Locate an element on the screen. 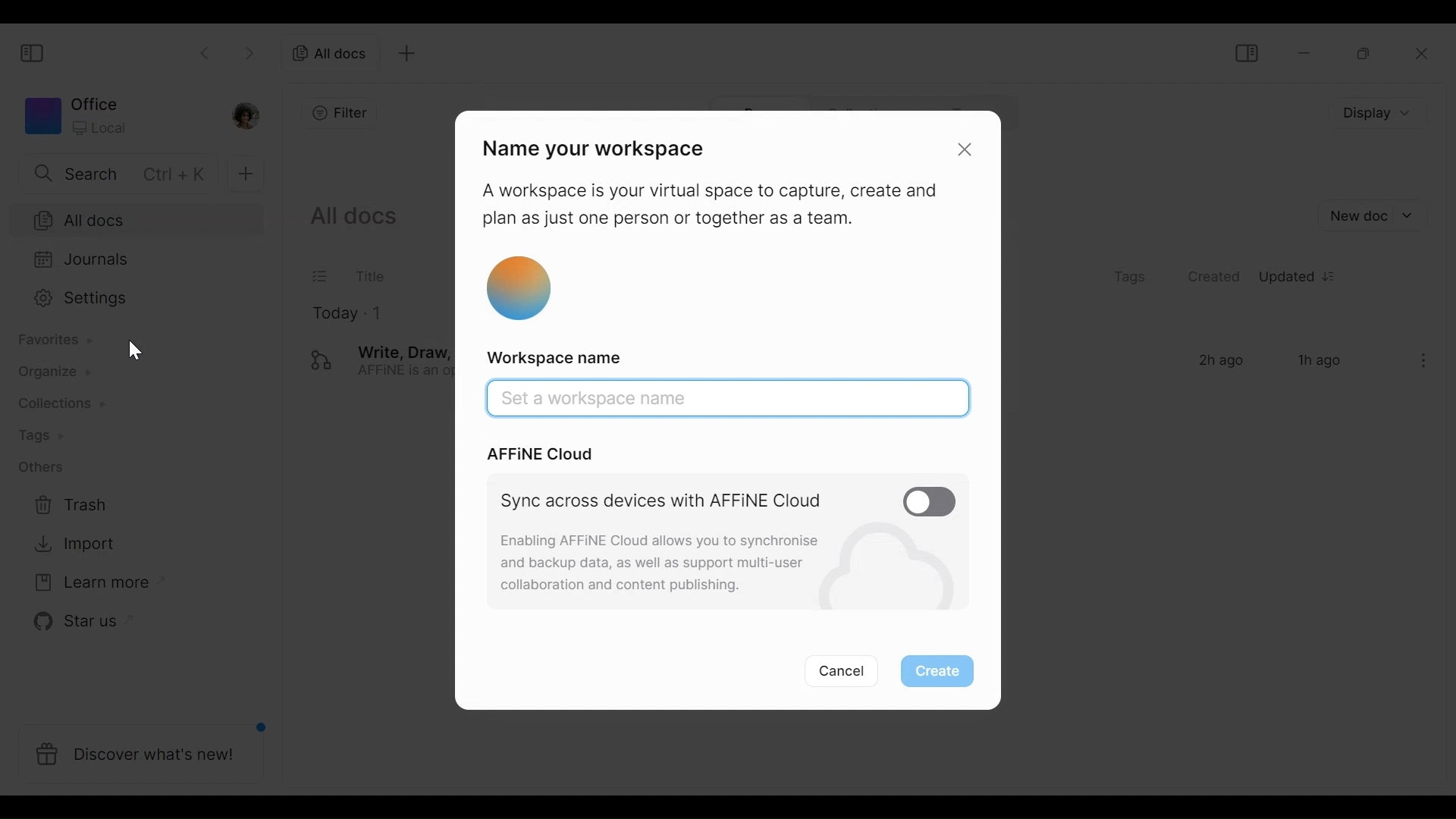  Name your workspace is located at coordinates (600, 151).